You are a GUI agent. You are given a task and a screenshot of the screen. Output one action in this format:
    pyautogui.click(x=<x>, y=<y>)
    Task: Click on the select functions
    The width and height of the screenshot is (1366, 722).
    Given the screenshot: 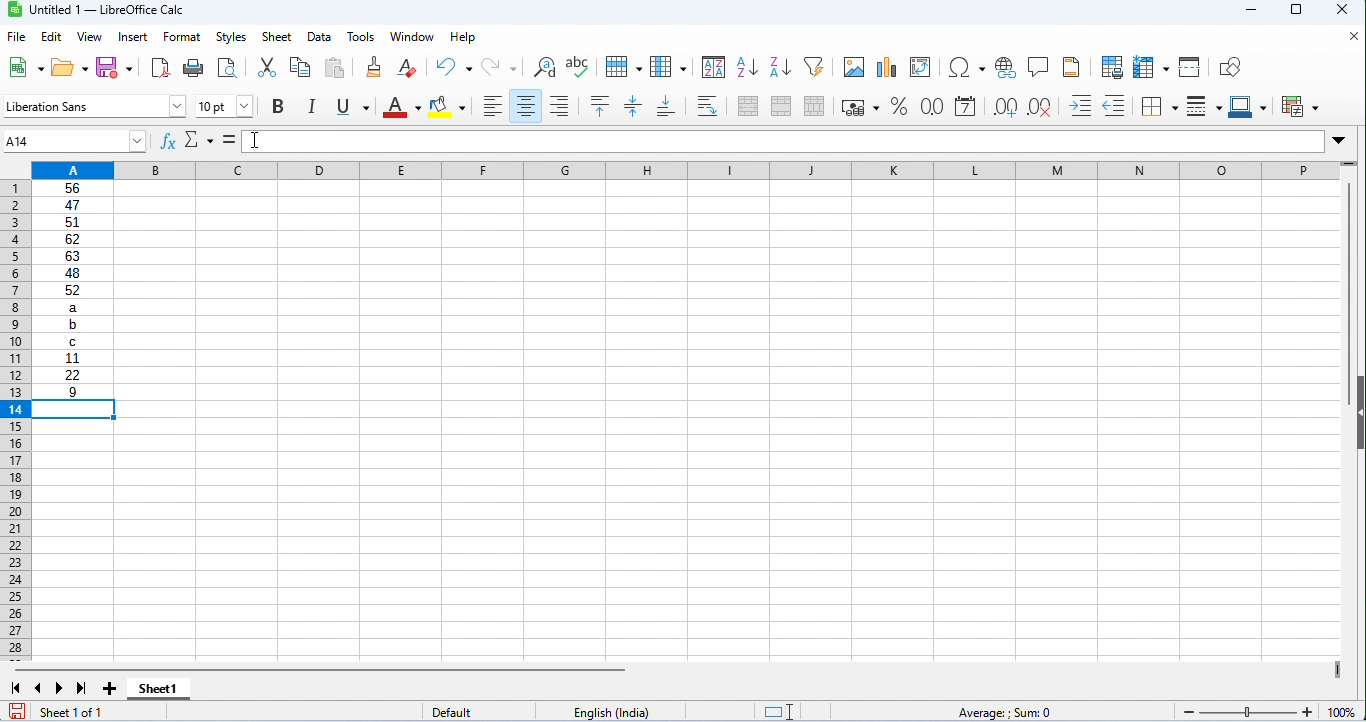 What is the action you would take?
    pyautogui.click(x=200, y=141)
    